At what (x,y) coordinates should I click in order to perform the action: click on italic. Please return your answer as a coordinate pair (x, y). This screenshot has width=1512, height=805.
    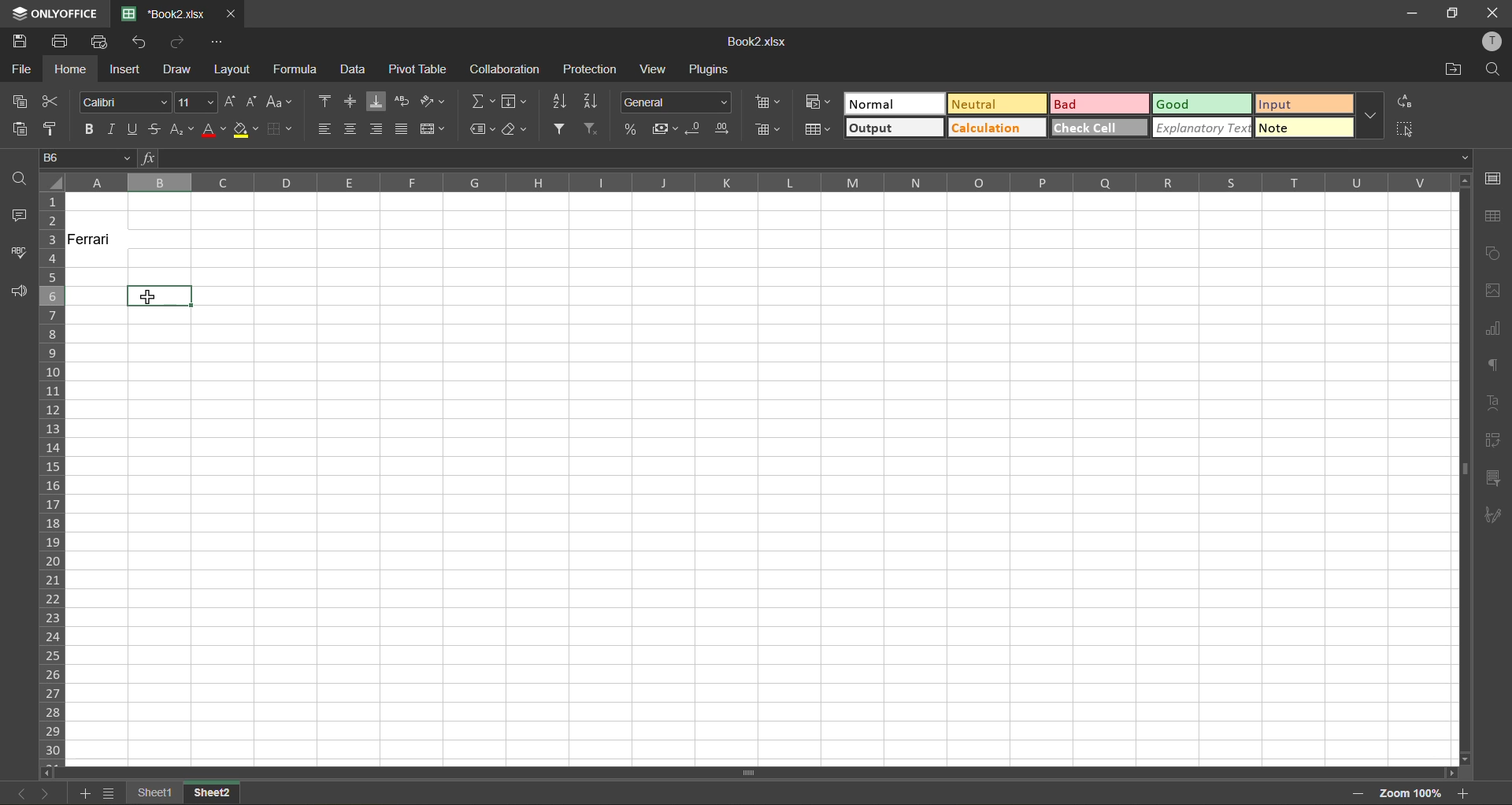
    Looking at the image, I should click on (114, 129).